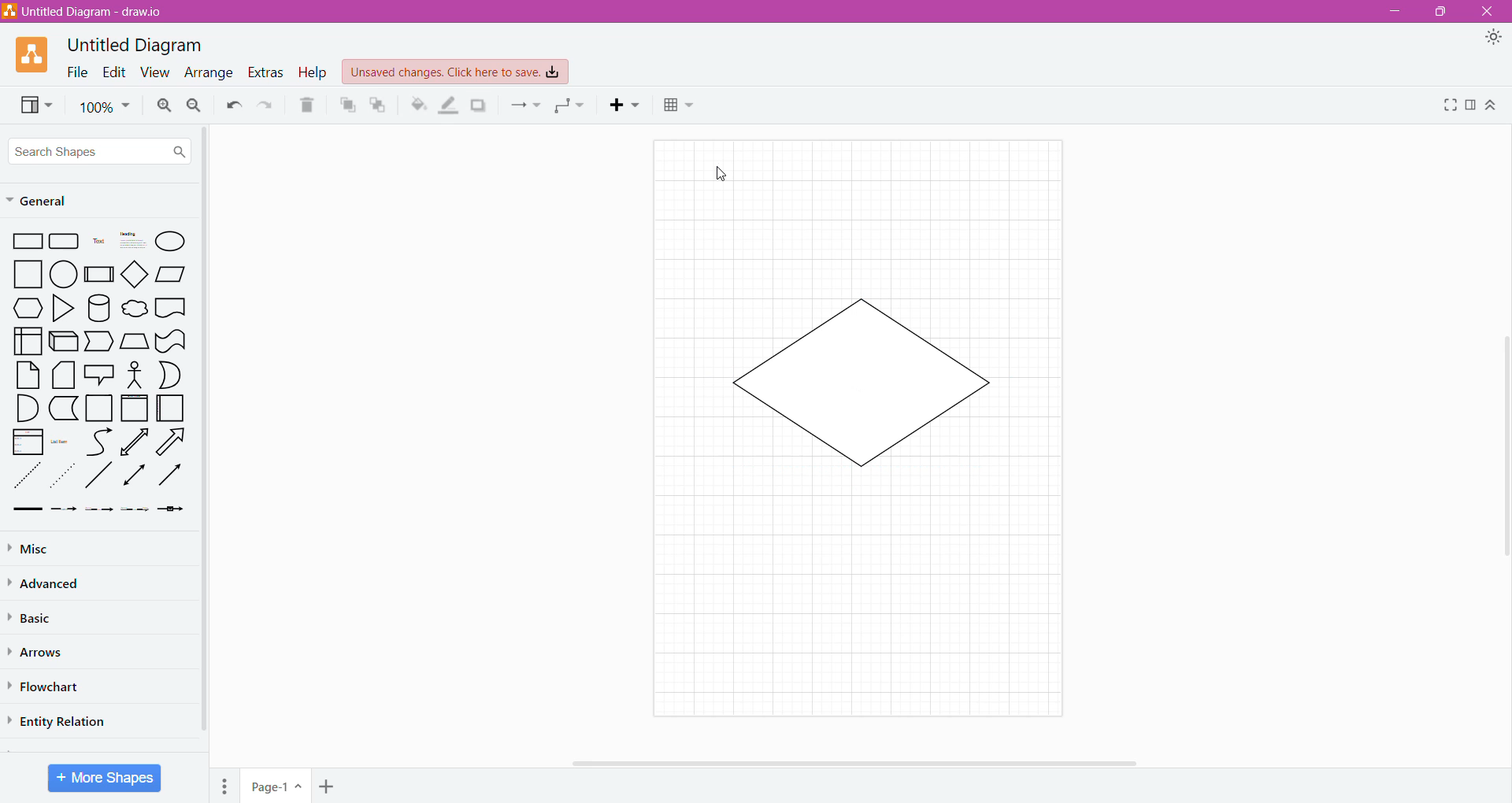 This screenshot has width=1512, height=803. Describe the element at coordinates (100, 408) in the screenshot. I see `Container` at that location.